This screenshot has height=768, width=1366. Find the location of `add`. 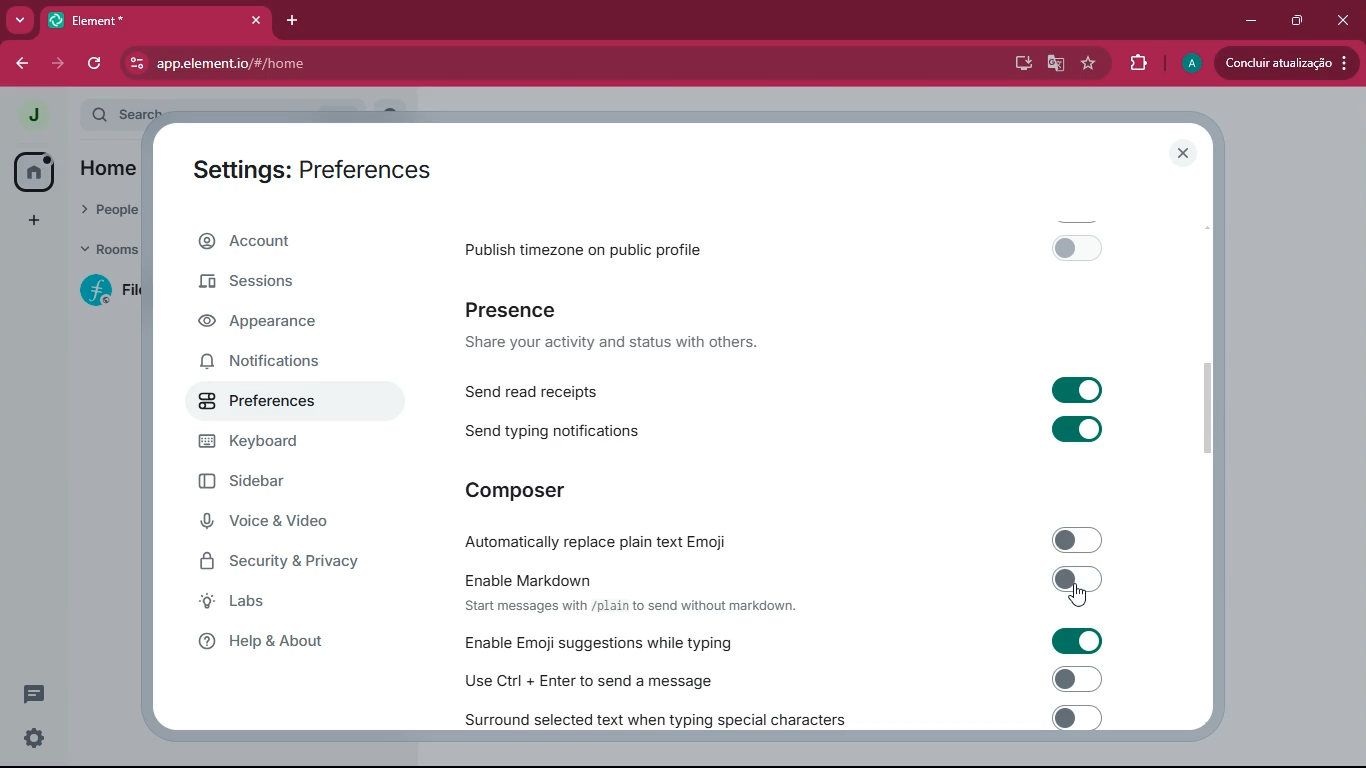

add is located at coordinates (30, 223).